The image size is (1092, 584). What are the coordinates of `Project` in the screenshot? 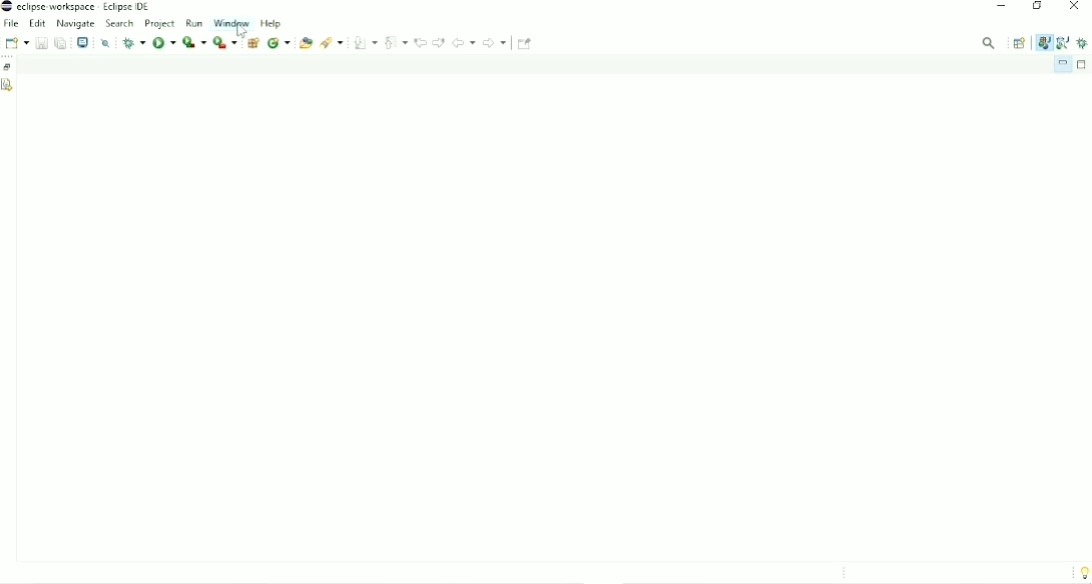 It's located at (160, 23).